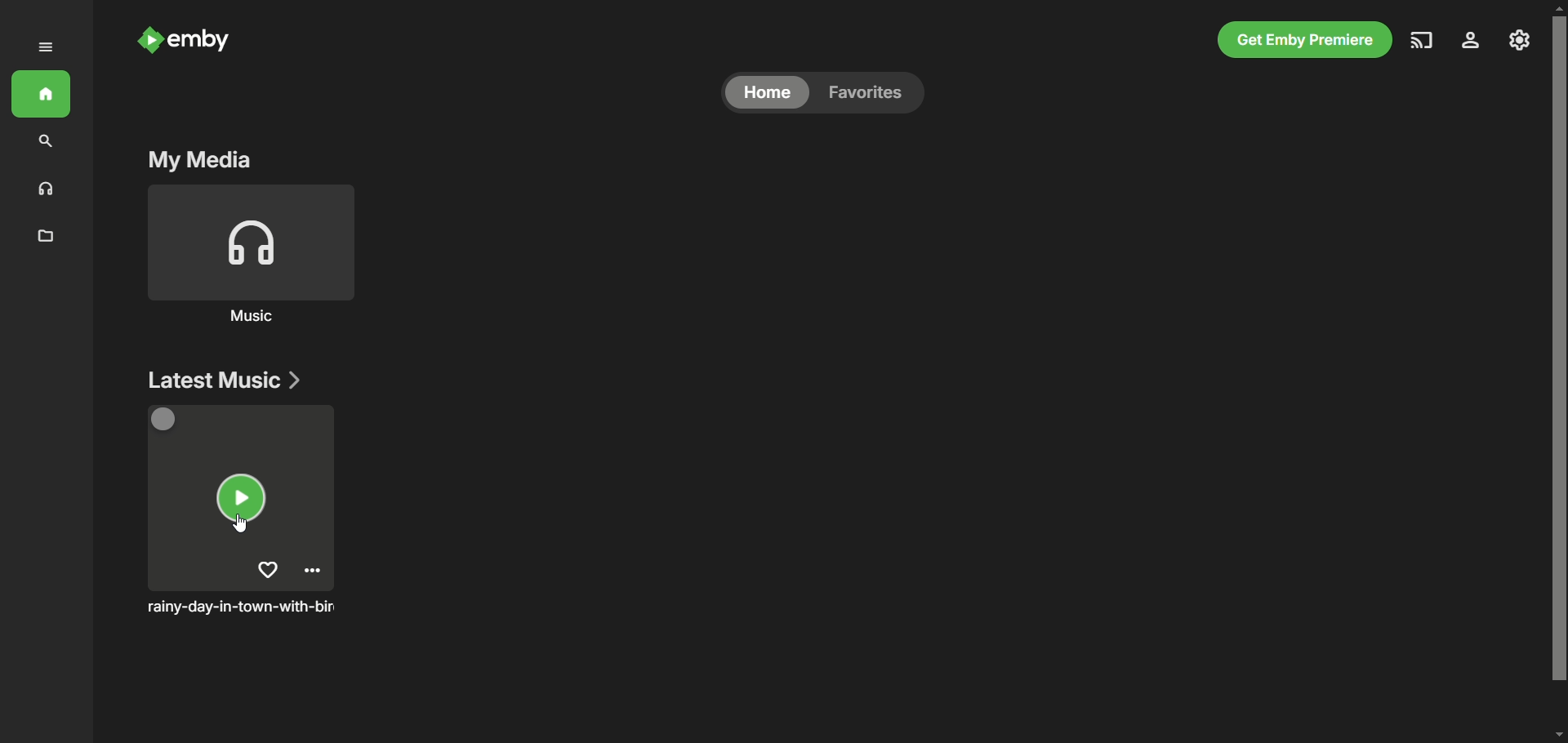 This screenshot has width=1568, height=743. I want to click on settings, so click(1477, 42).